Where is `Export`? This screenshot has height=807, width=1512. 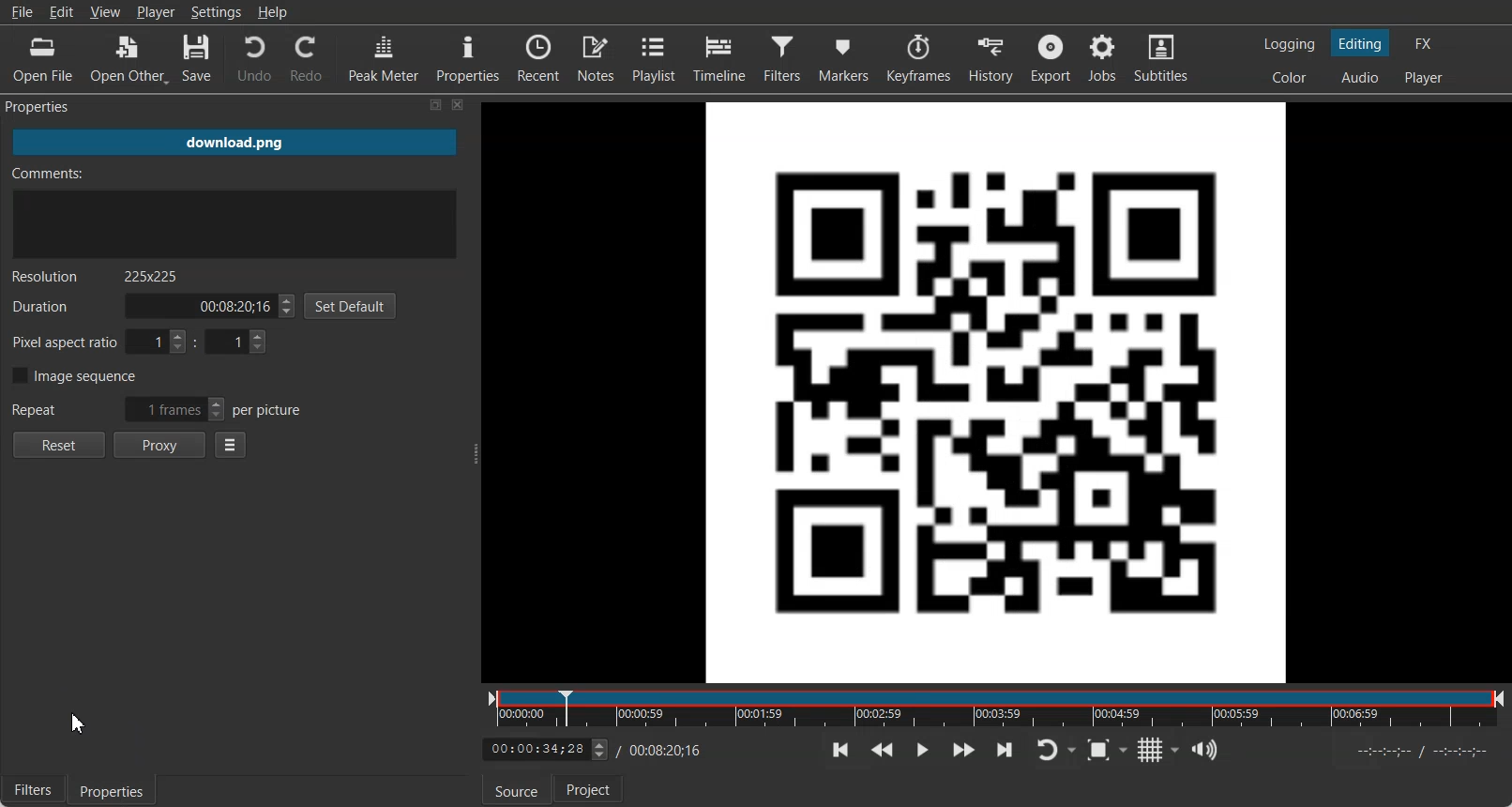
Export is located at coordinates (1051, 59).